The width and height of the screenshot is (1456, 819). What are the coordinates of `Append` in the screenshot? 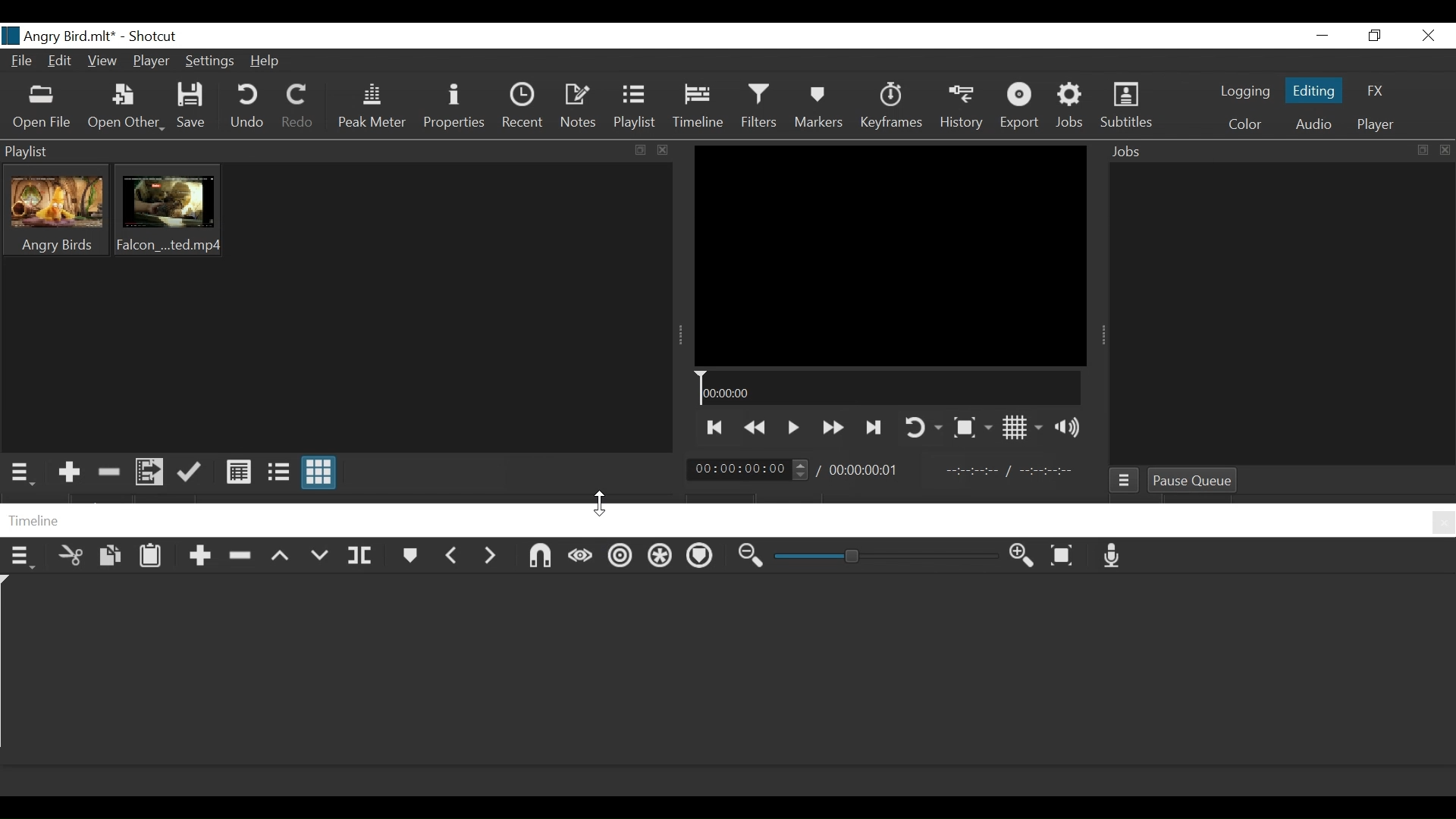 It's located at (201, 558).